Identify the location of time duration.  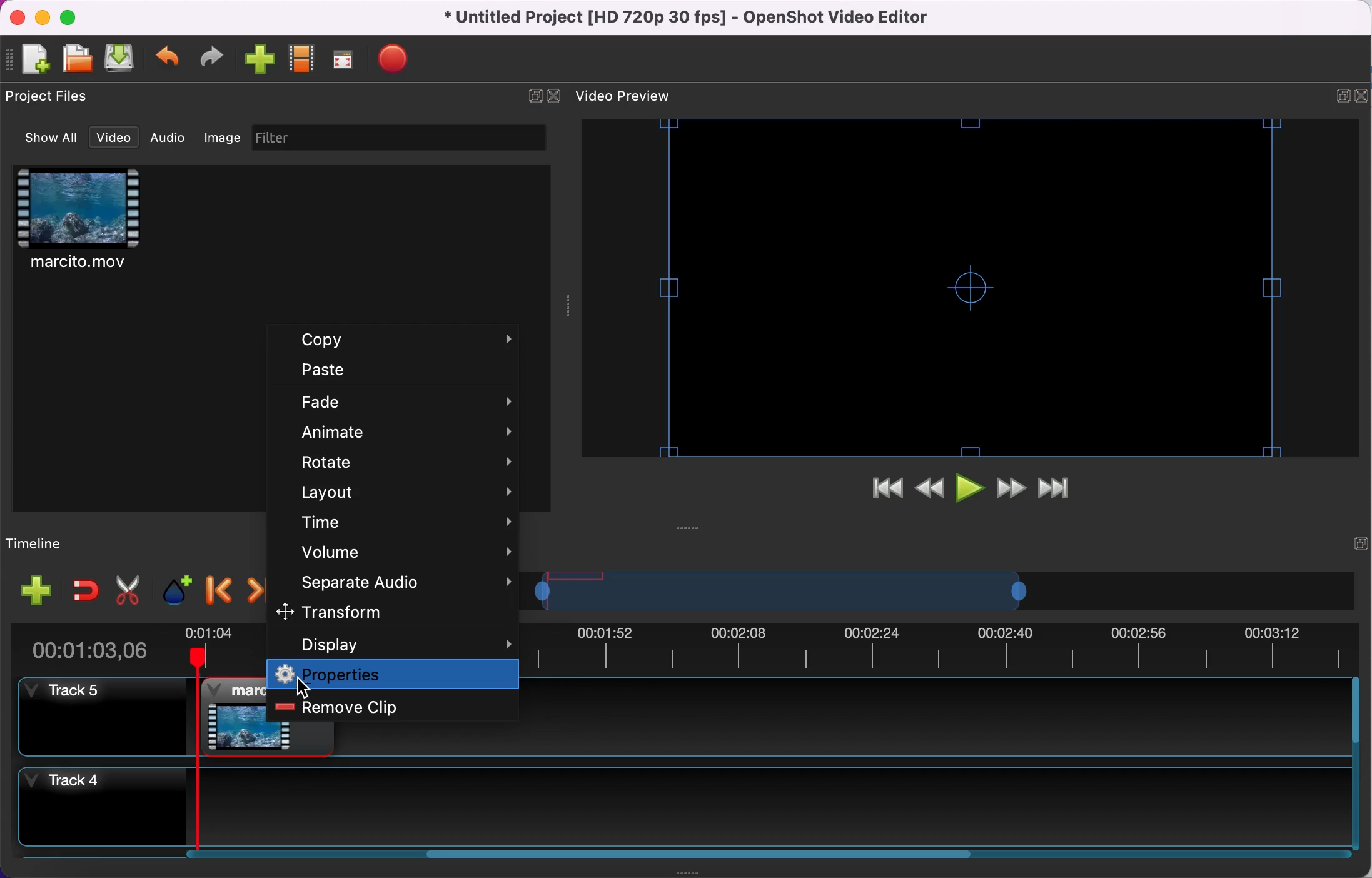
(949, 648).